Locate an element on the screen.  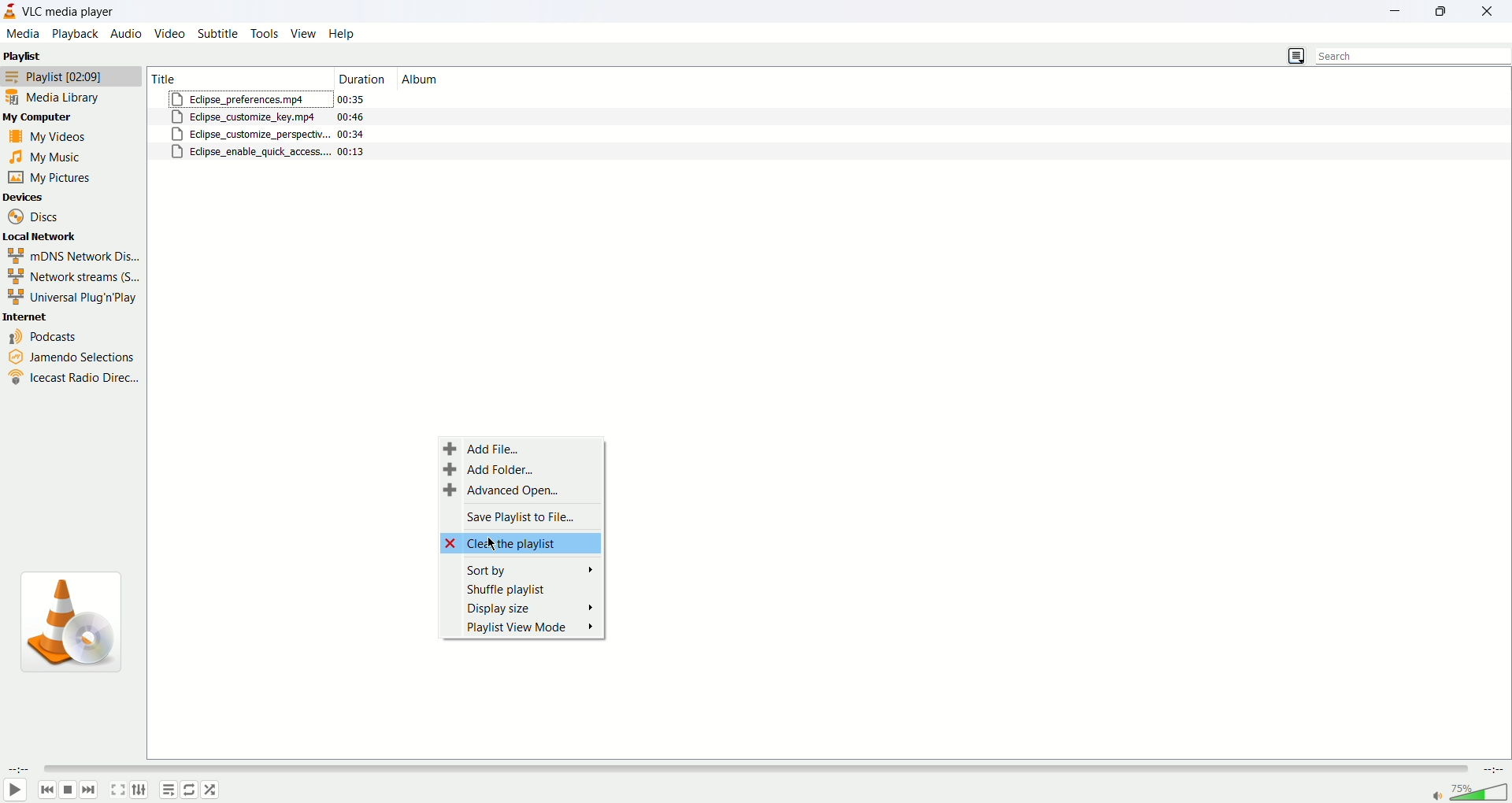
stop is located at coordinates (67, 790).